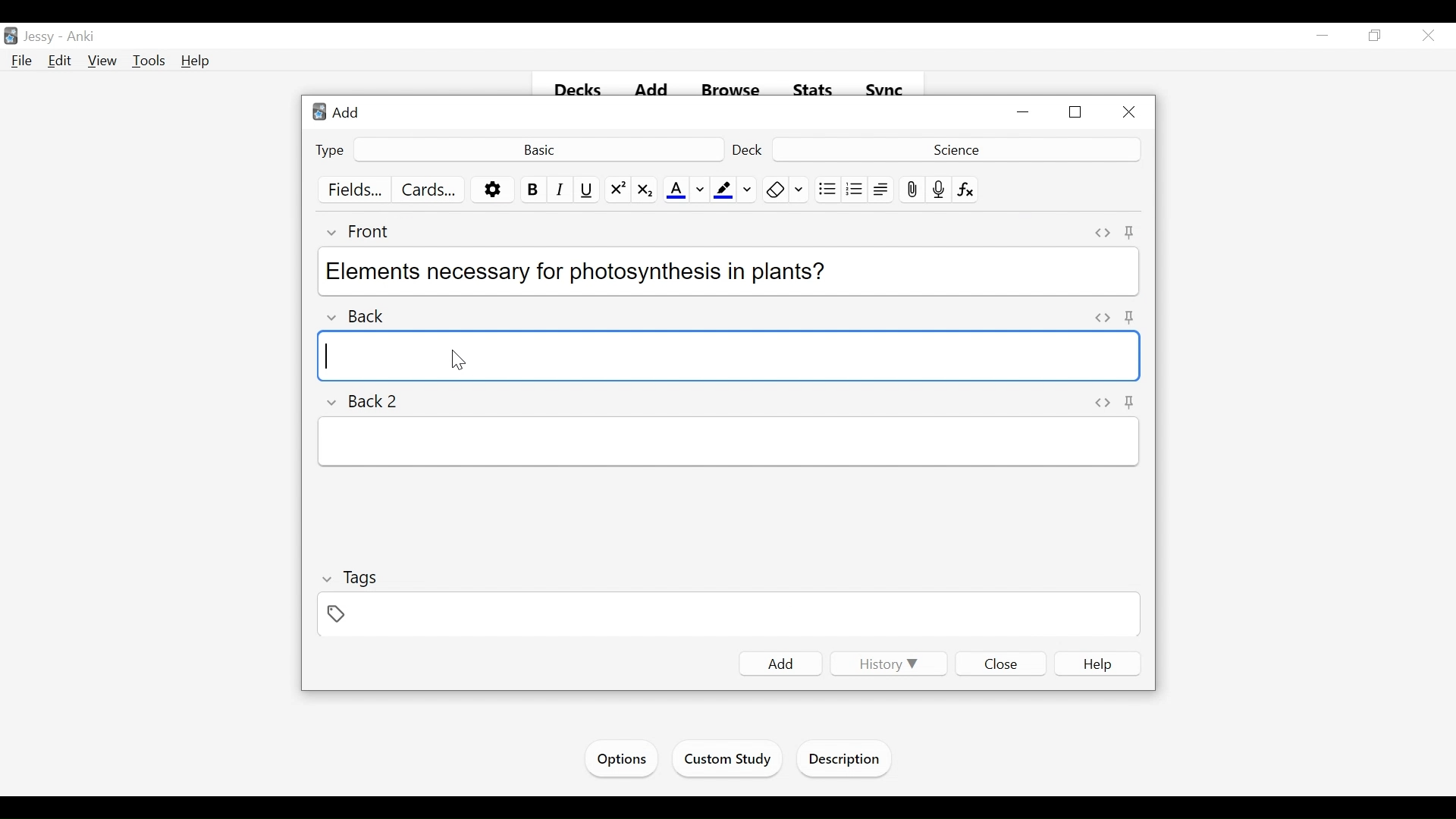  I want to click on Toggle Sticky, so click(1131, 402).